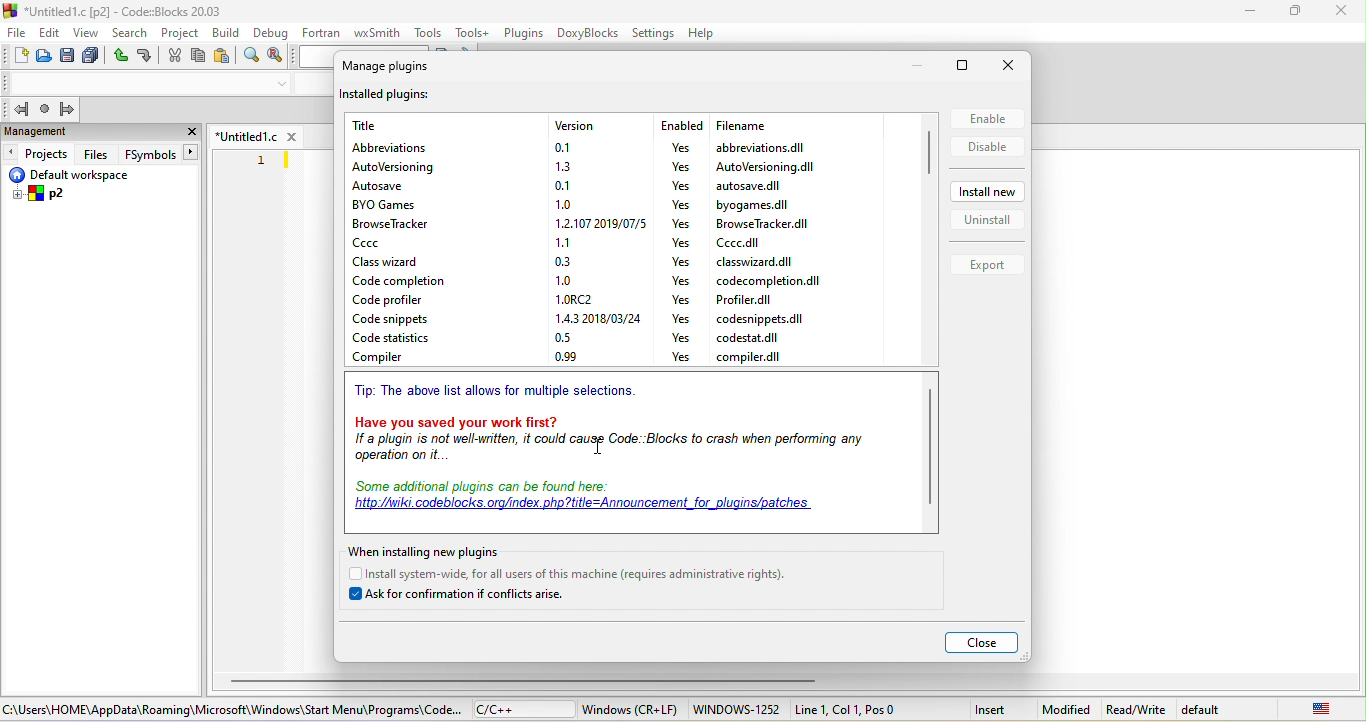  I want to click on insert, so click(992, 709).